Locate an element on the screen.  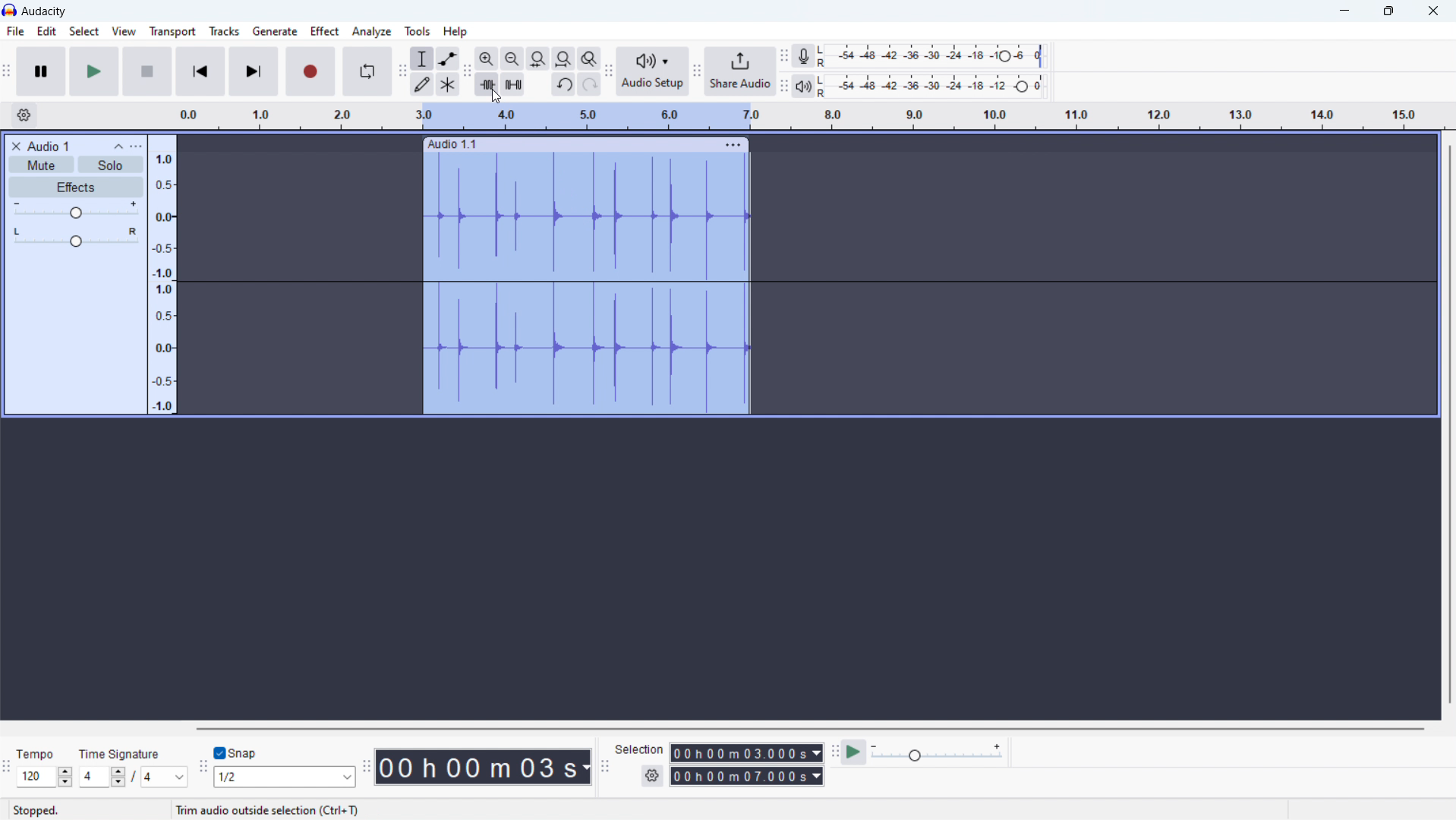
vertical scrollbar is located at coordinates (1448, 424).